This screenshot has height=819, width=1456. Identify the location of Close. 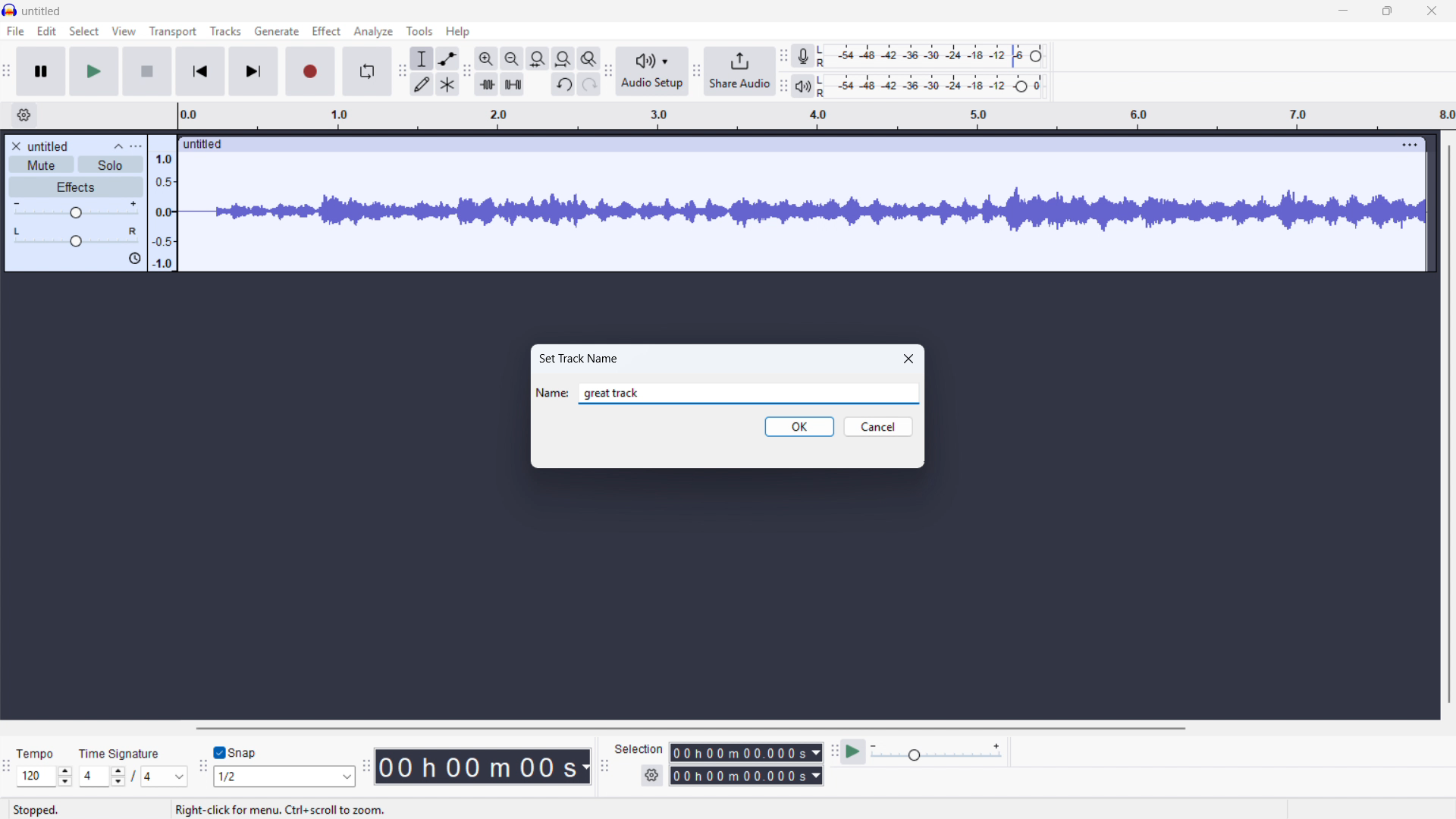
(1432, 12).